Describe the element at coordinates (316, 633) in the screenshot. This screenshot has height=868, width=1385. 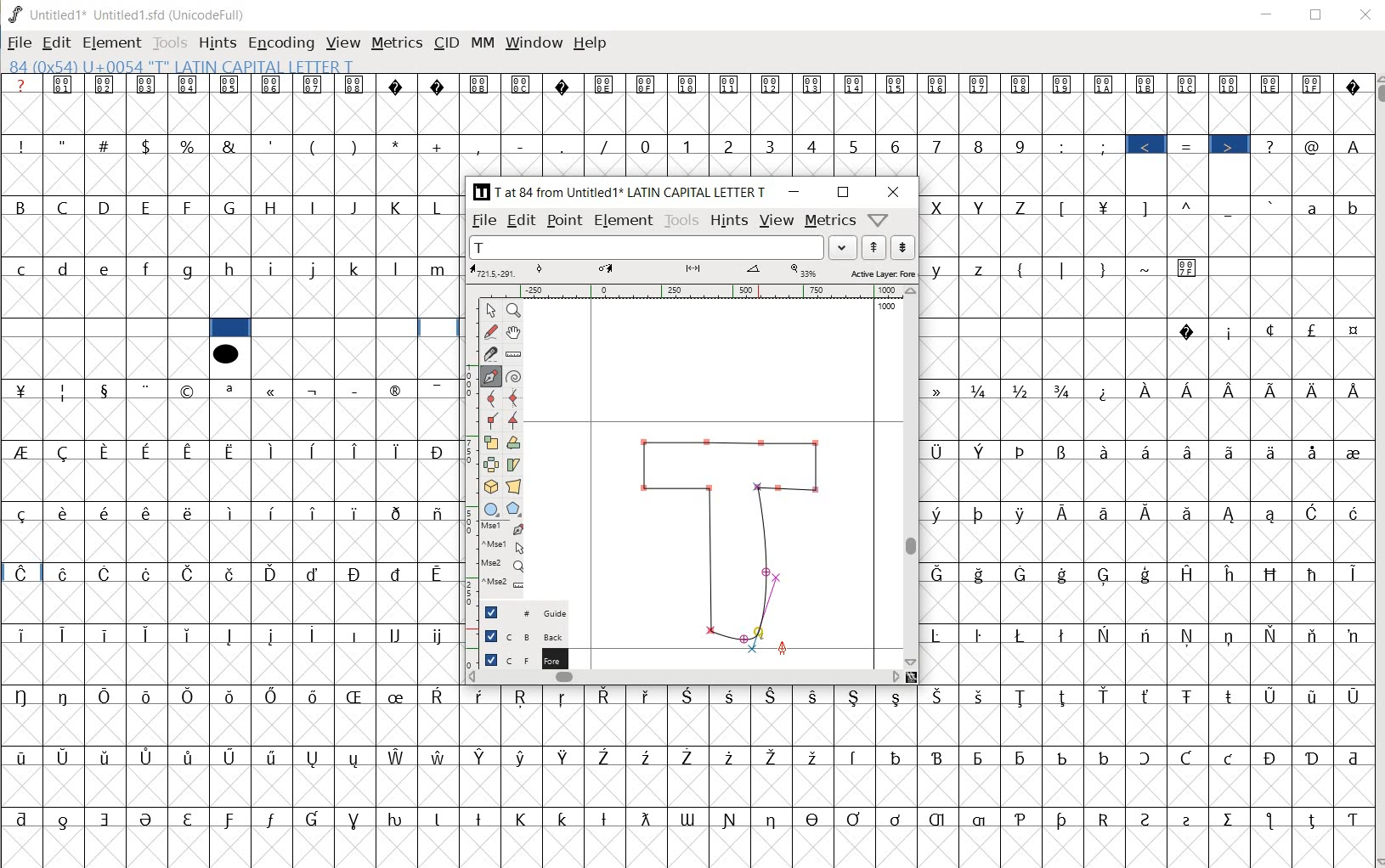
I see `Symbol` at that location.